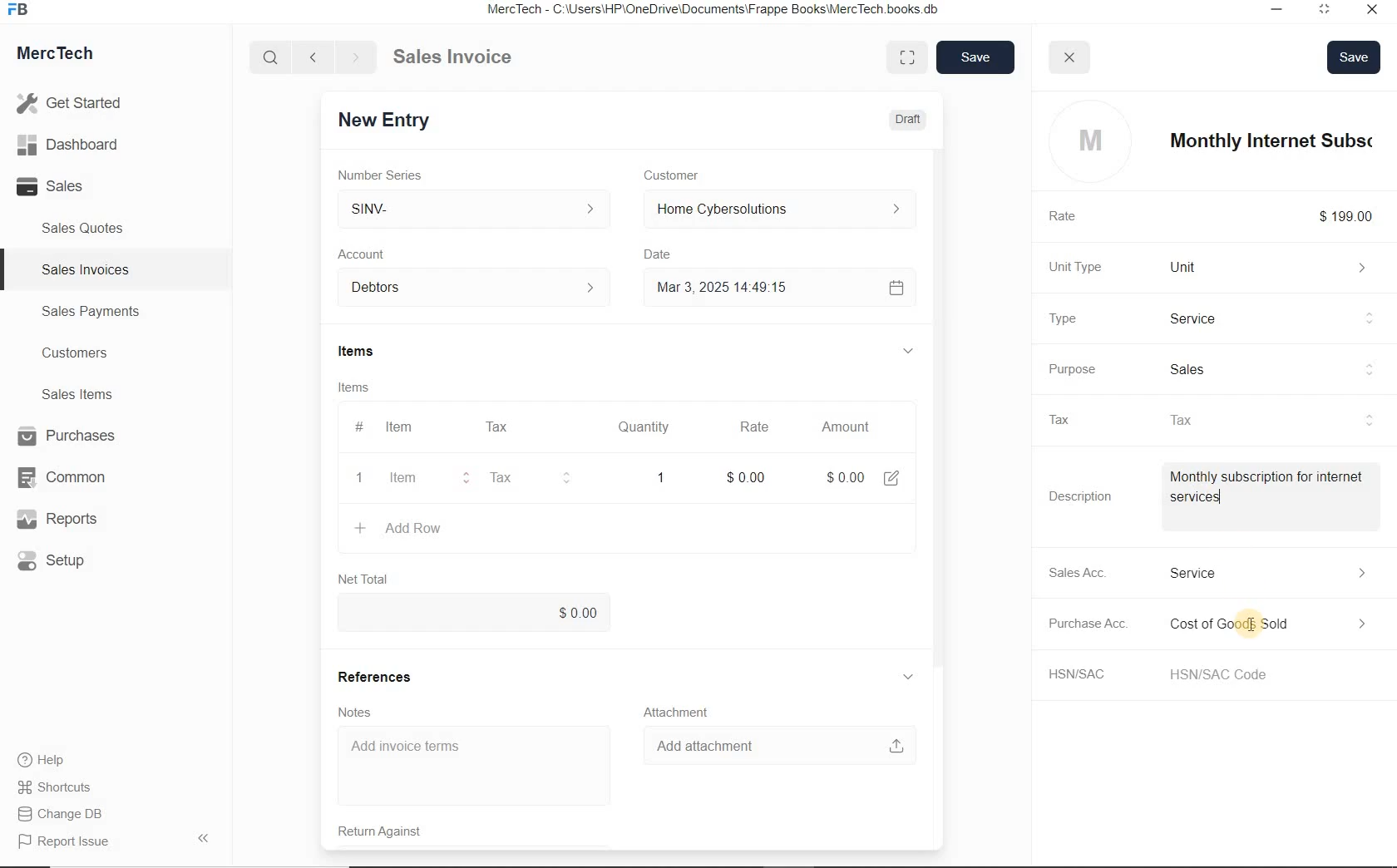  What do you see at coordinates (909, 677) in the screenshot?
I see `hide sub menu` at bounding box center [909, 677].